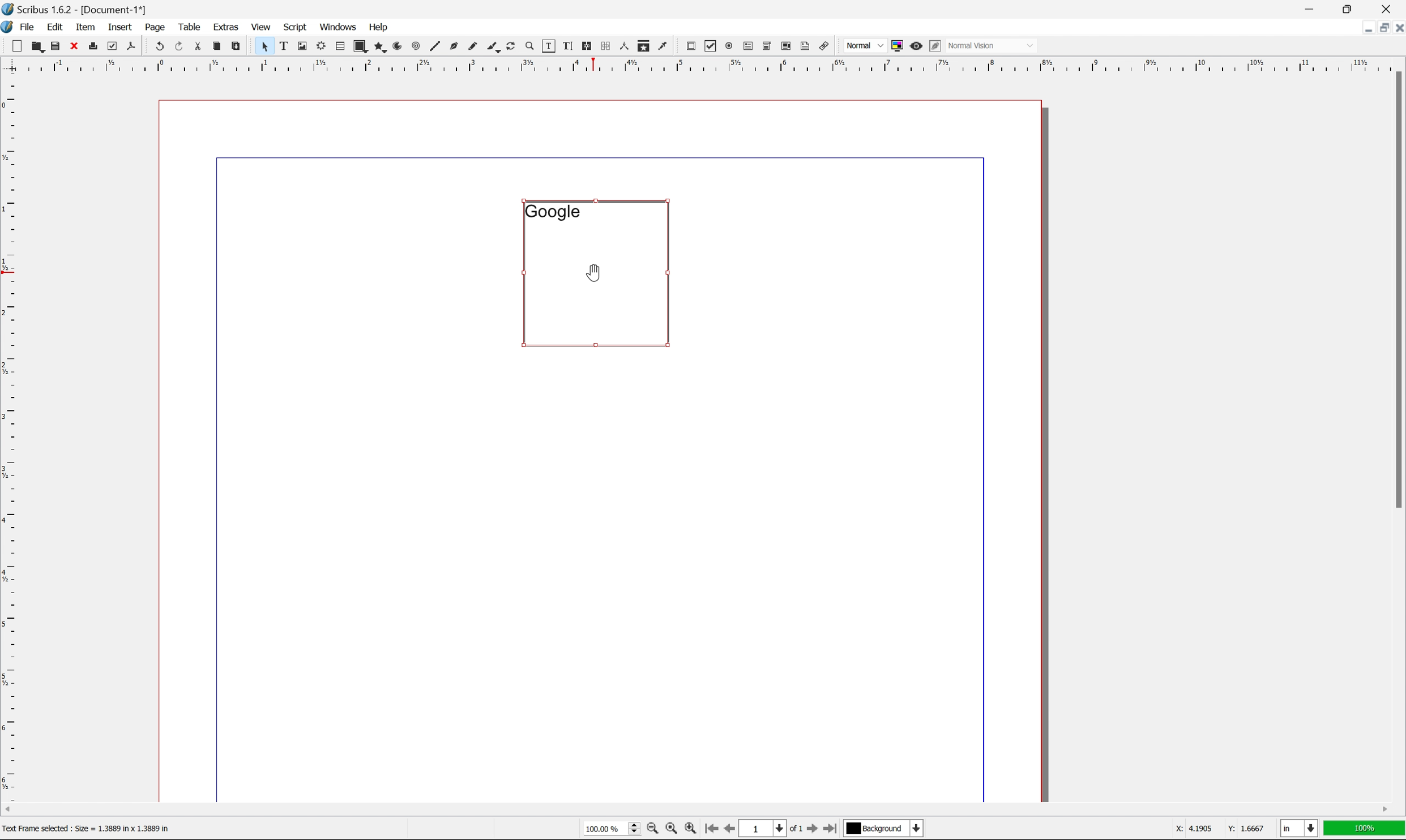 The width and height of the screenshot is (1406, 840). Describe the element at coordinates (92, 47) in the screenshot. I see `print` at that location.